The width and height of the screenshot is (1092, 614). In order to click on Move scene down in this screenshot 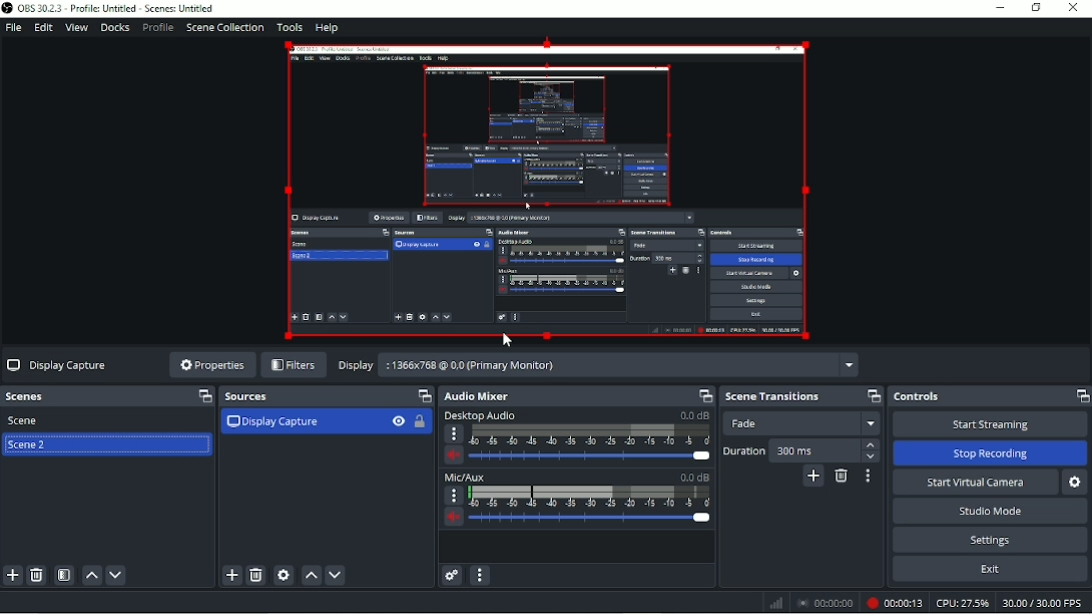, I will do `click(117, 575)`.